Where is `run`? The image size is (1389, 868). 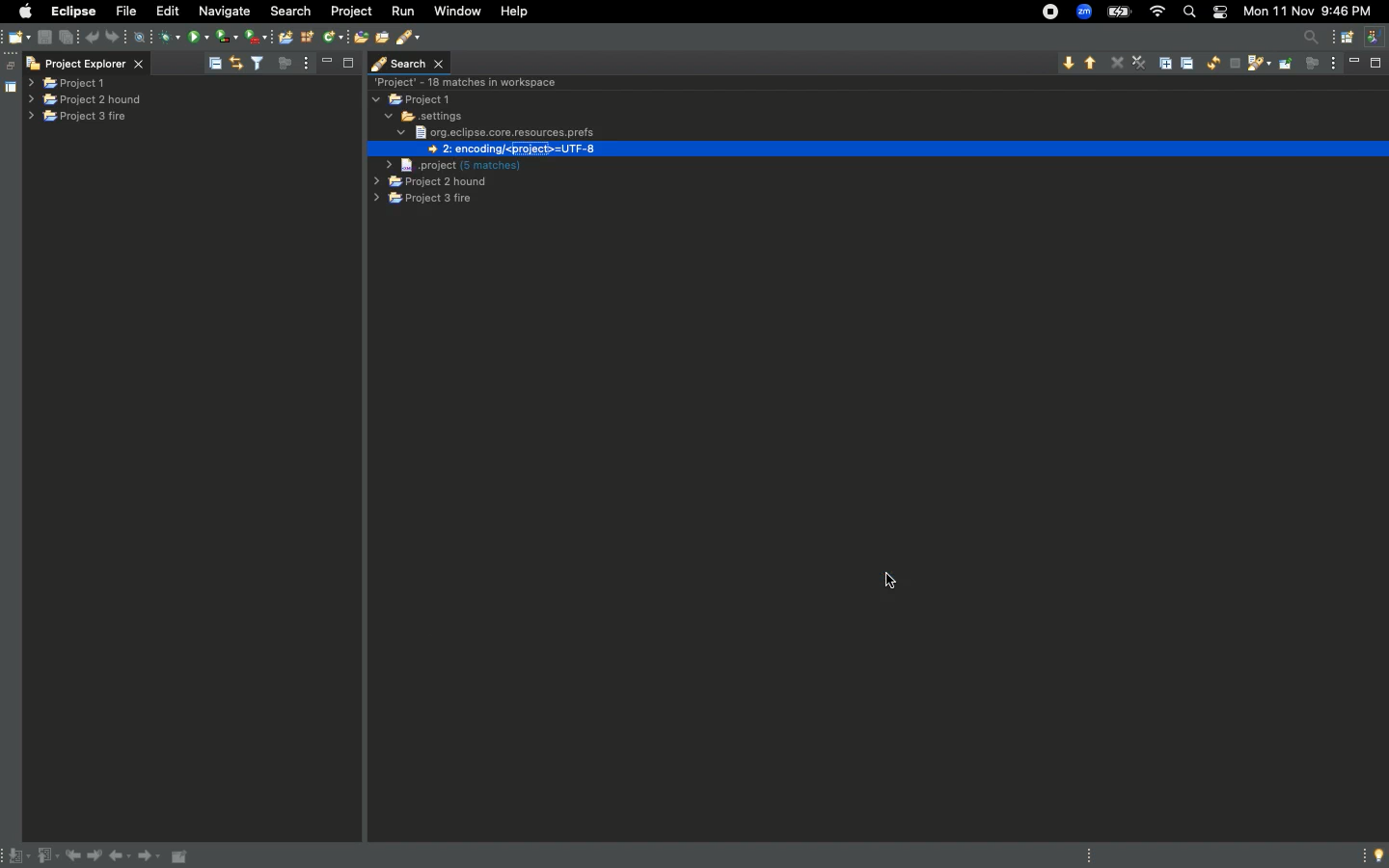
run is located at coordinates (199, 36).